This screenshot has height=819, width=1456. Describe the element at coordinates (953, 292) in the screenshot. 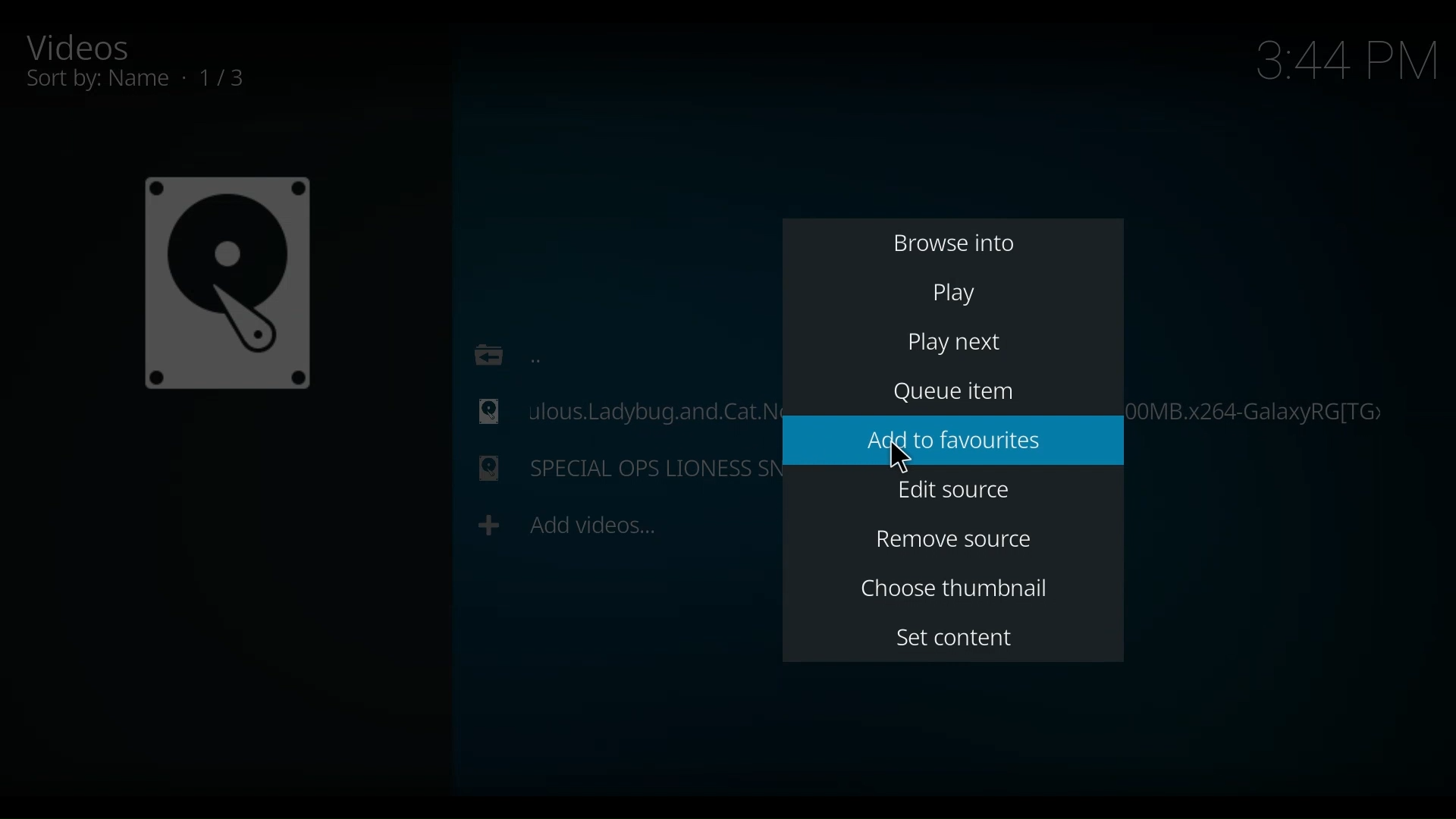

I see `play` at that location.